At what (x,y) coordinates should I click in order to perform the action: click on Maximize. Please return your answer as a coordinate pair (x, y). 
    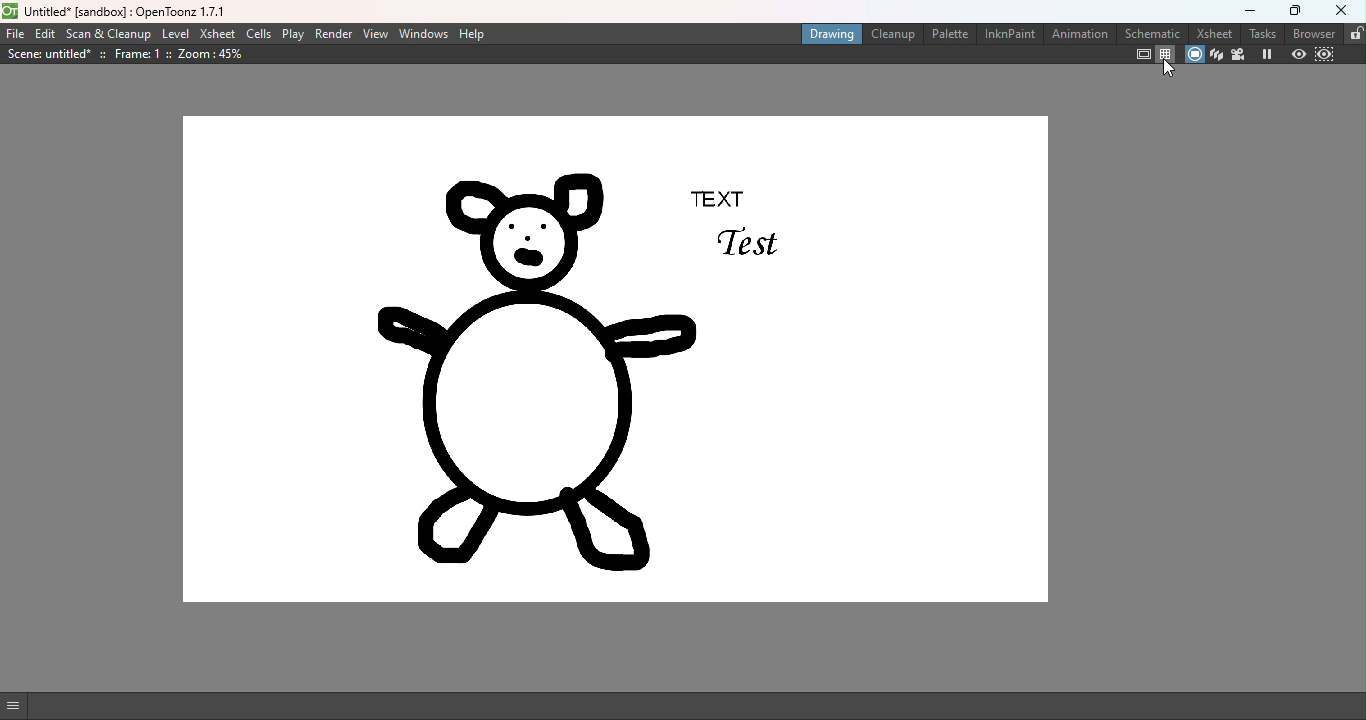
    Looking at the image, I should click on (1289, 13).